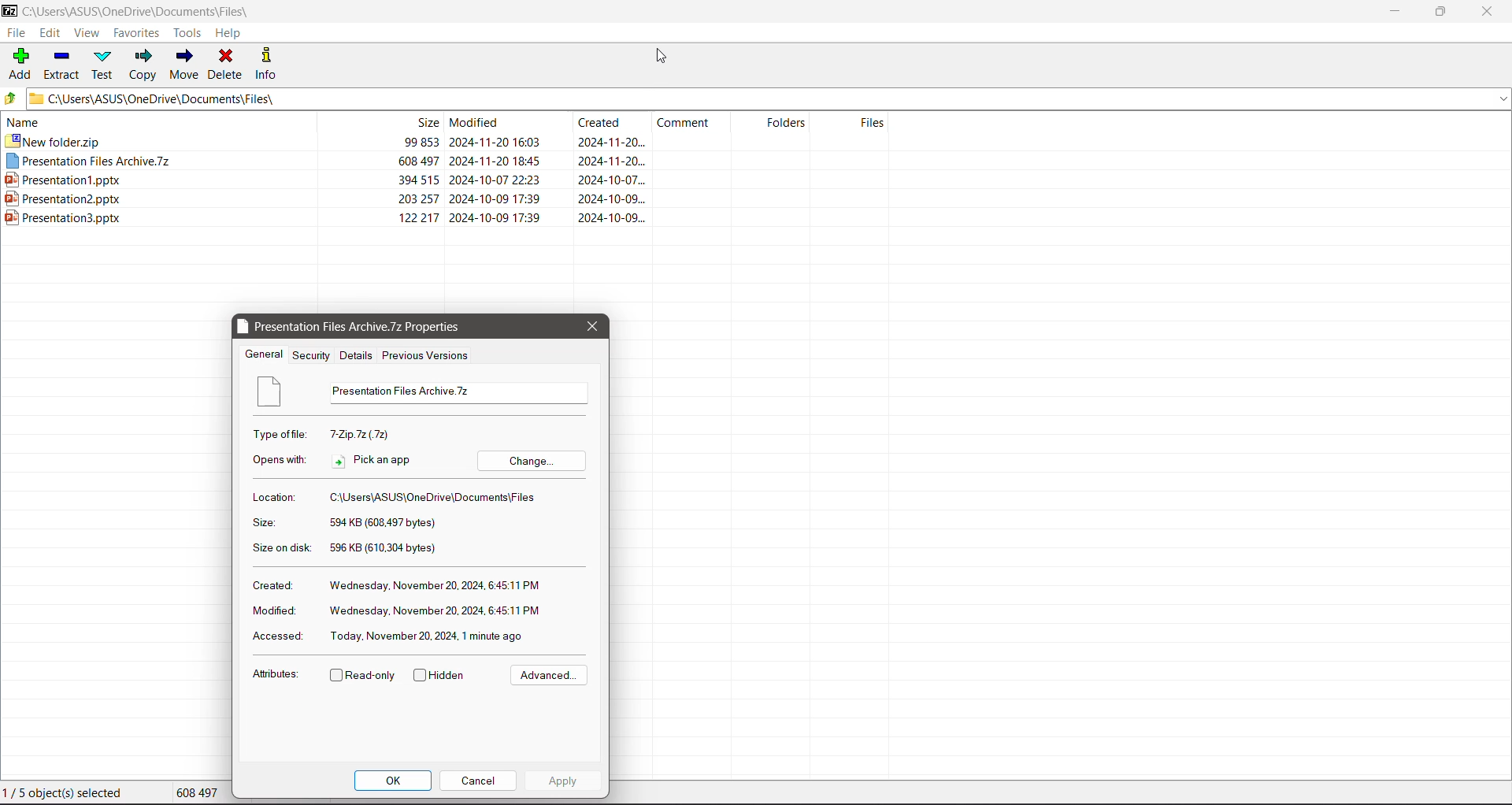 The image size is (1512, 805). I want to click on Modified, so click(276, 613).